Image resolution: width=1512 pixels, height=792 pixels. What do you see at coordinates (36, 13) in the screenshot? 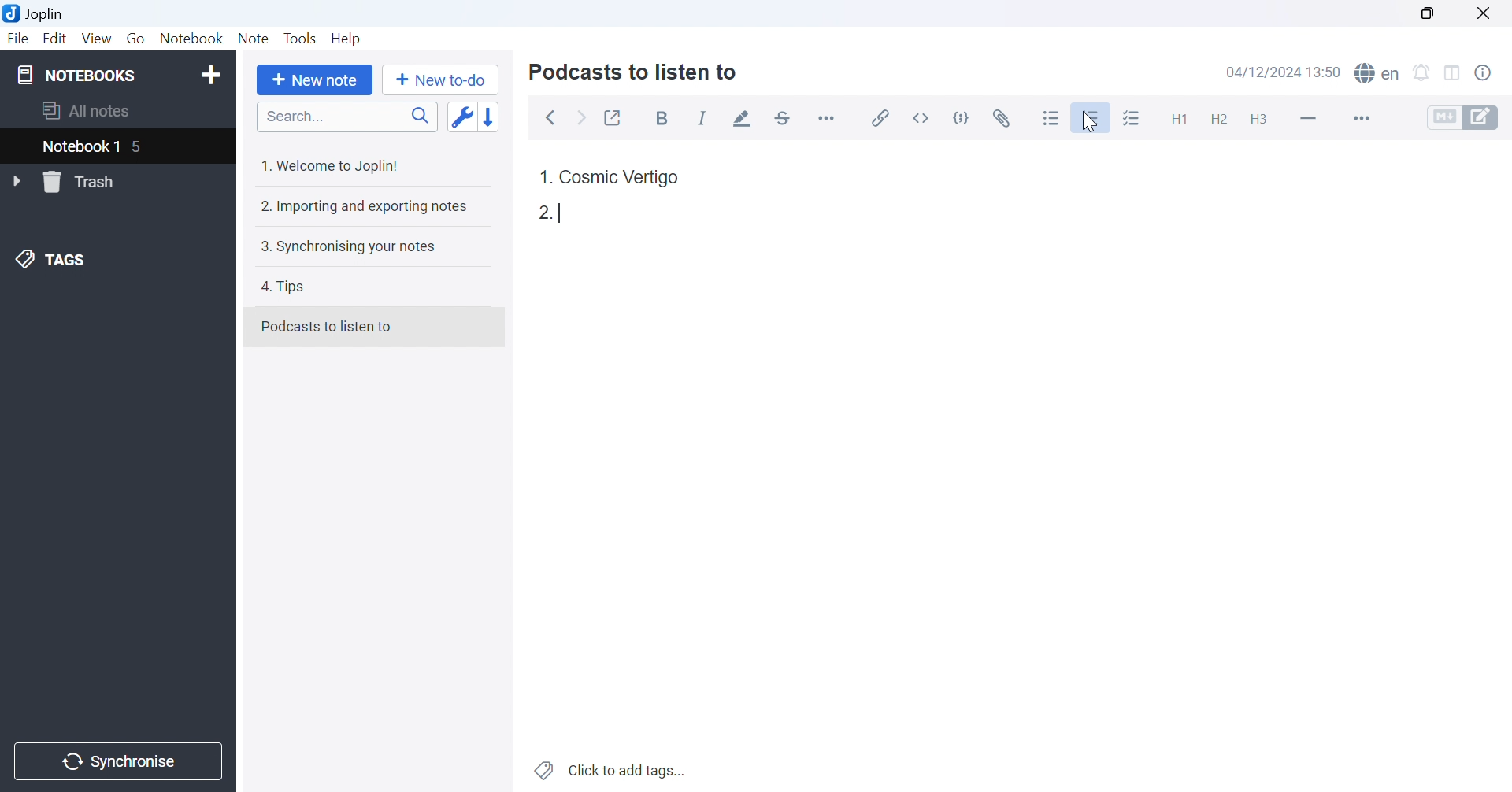
I see `Joplin` at bounding box center [36, 13].